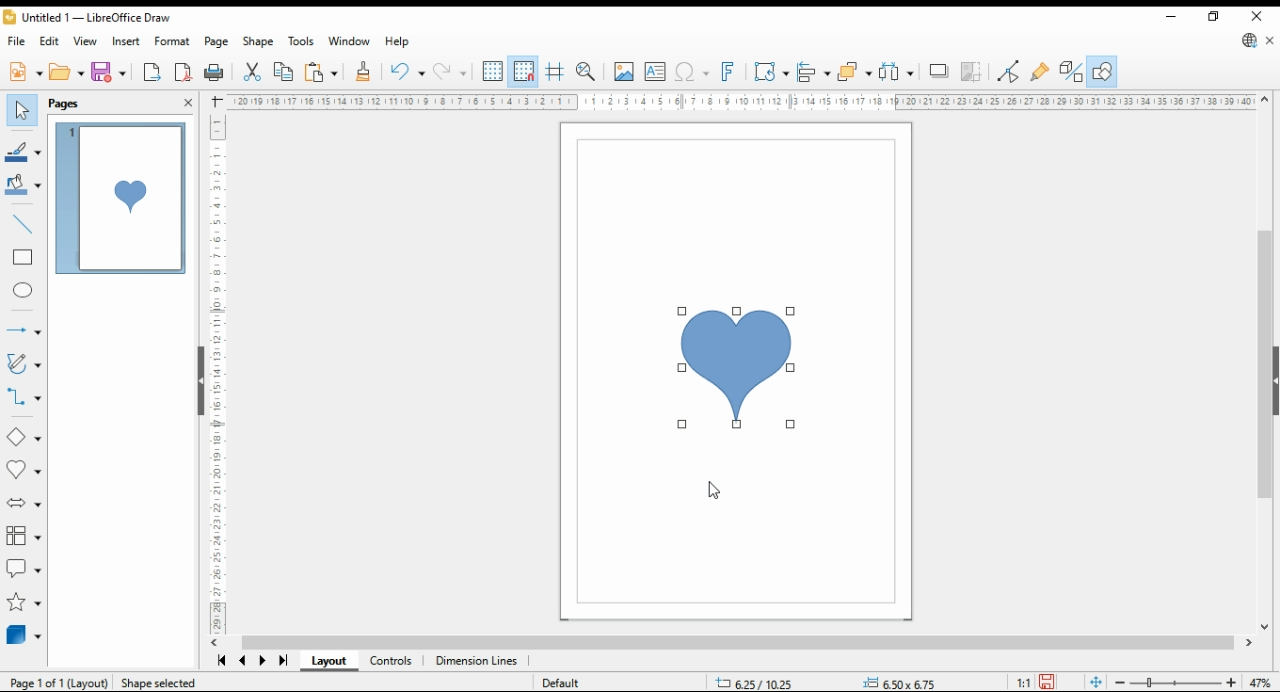 This screenshot has height=692, width=1280. What do you see at coordinates (60, 682) in the screenshot?
I see `Page` at bounding box center [60, 682].